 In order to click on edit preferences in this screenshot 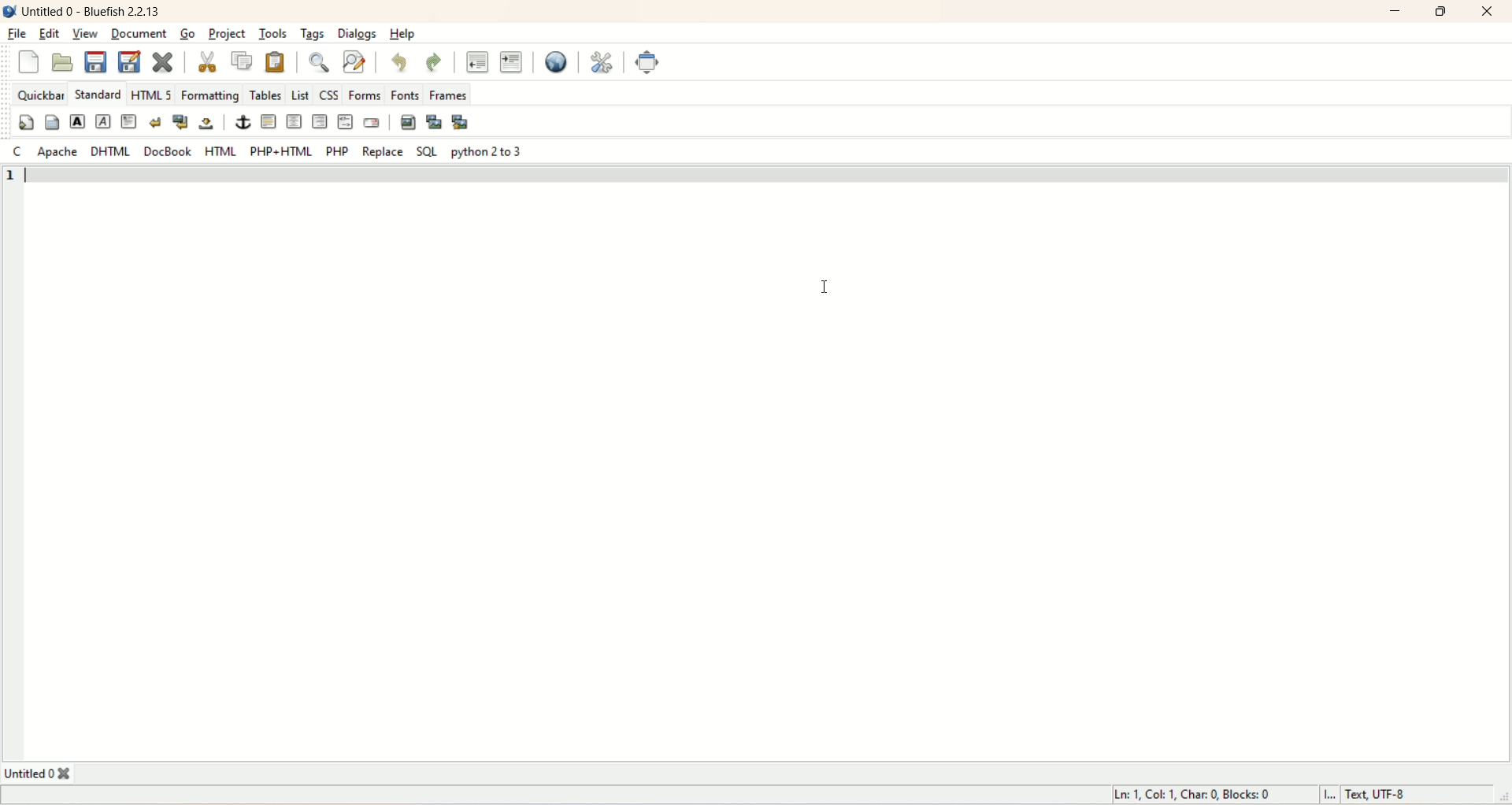, I will do `click(600, 64)`.